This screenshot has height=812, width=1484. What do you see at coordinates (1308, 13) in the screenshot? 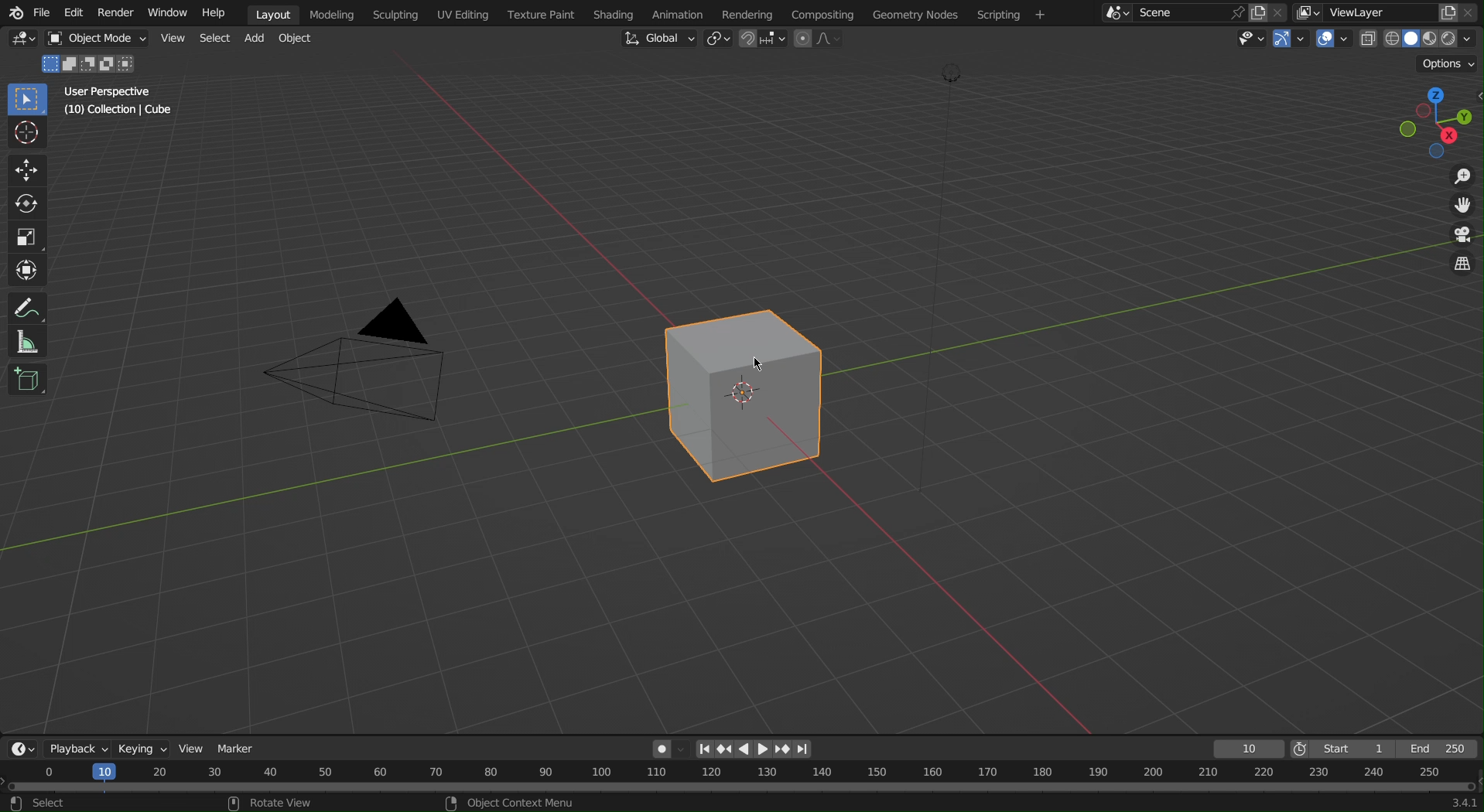
I see `More layer` at bounding box center [1308, 13].